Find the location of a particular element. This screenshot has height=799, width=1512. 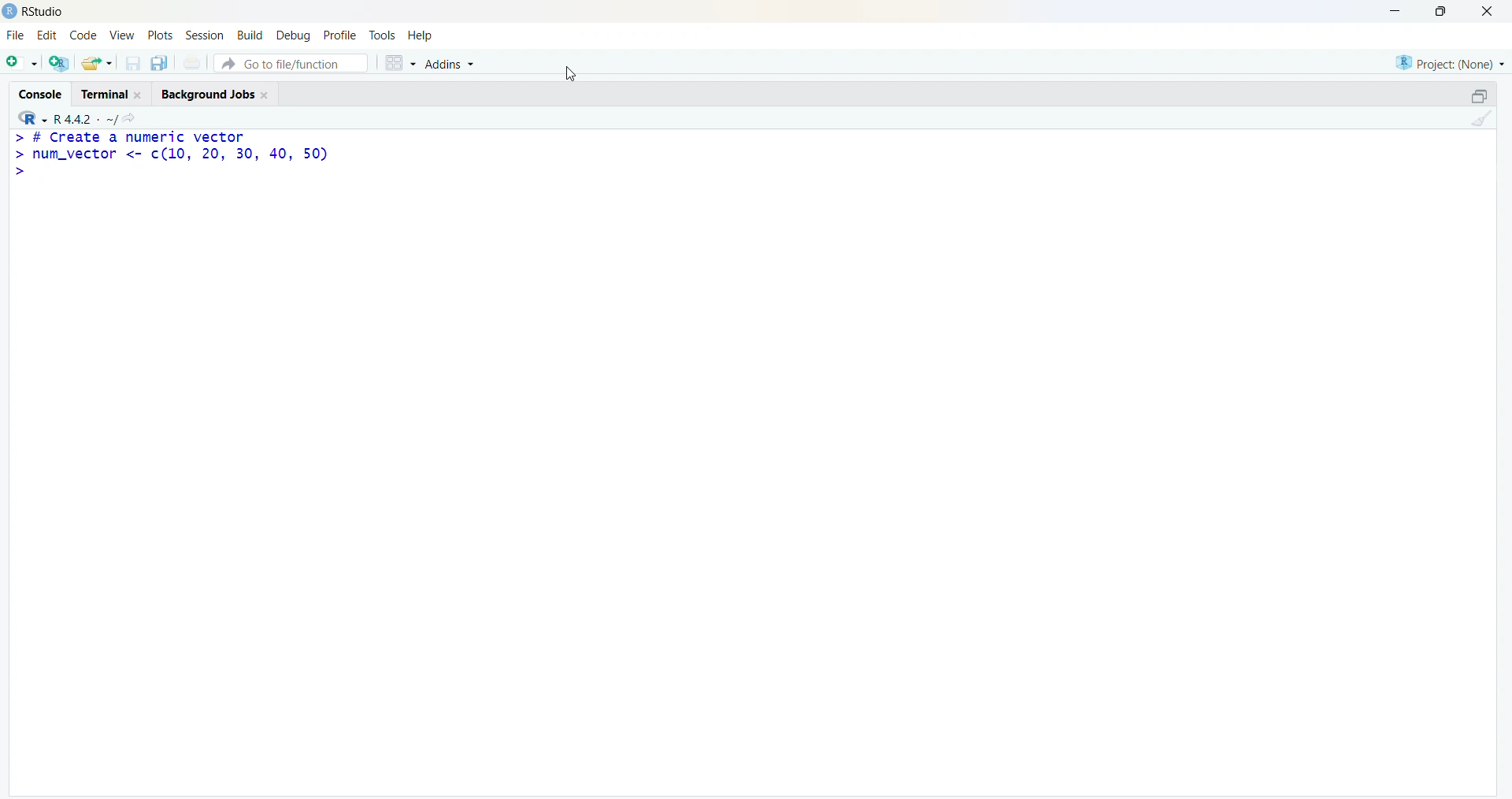

Background jobs is located at coordinates (208, 95).